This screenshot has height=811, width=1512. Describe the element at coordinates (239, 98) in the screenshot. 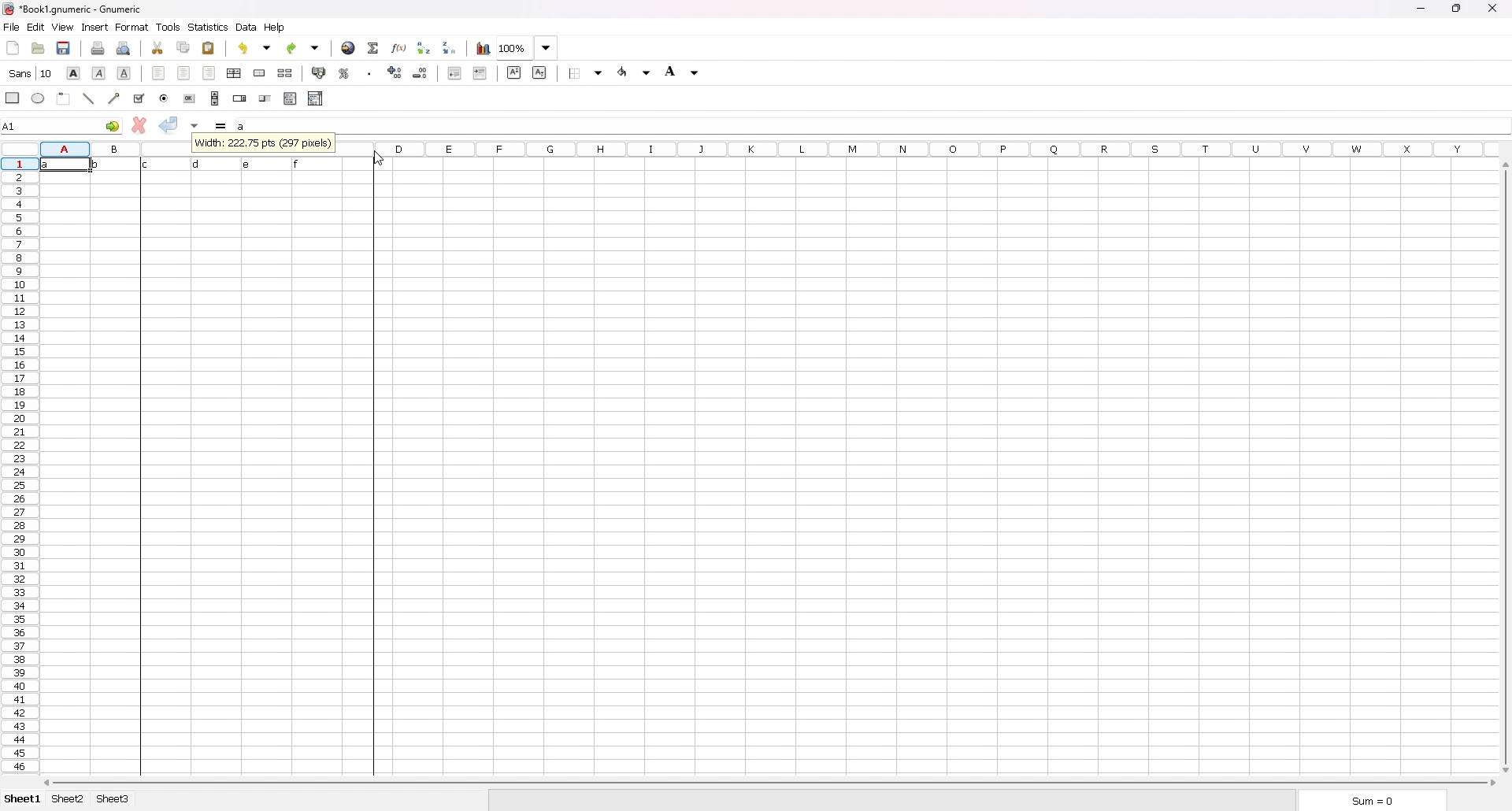

I see `spin button` at that location.